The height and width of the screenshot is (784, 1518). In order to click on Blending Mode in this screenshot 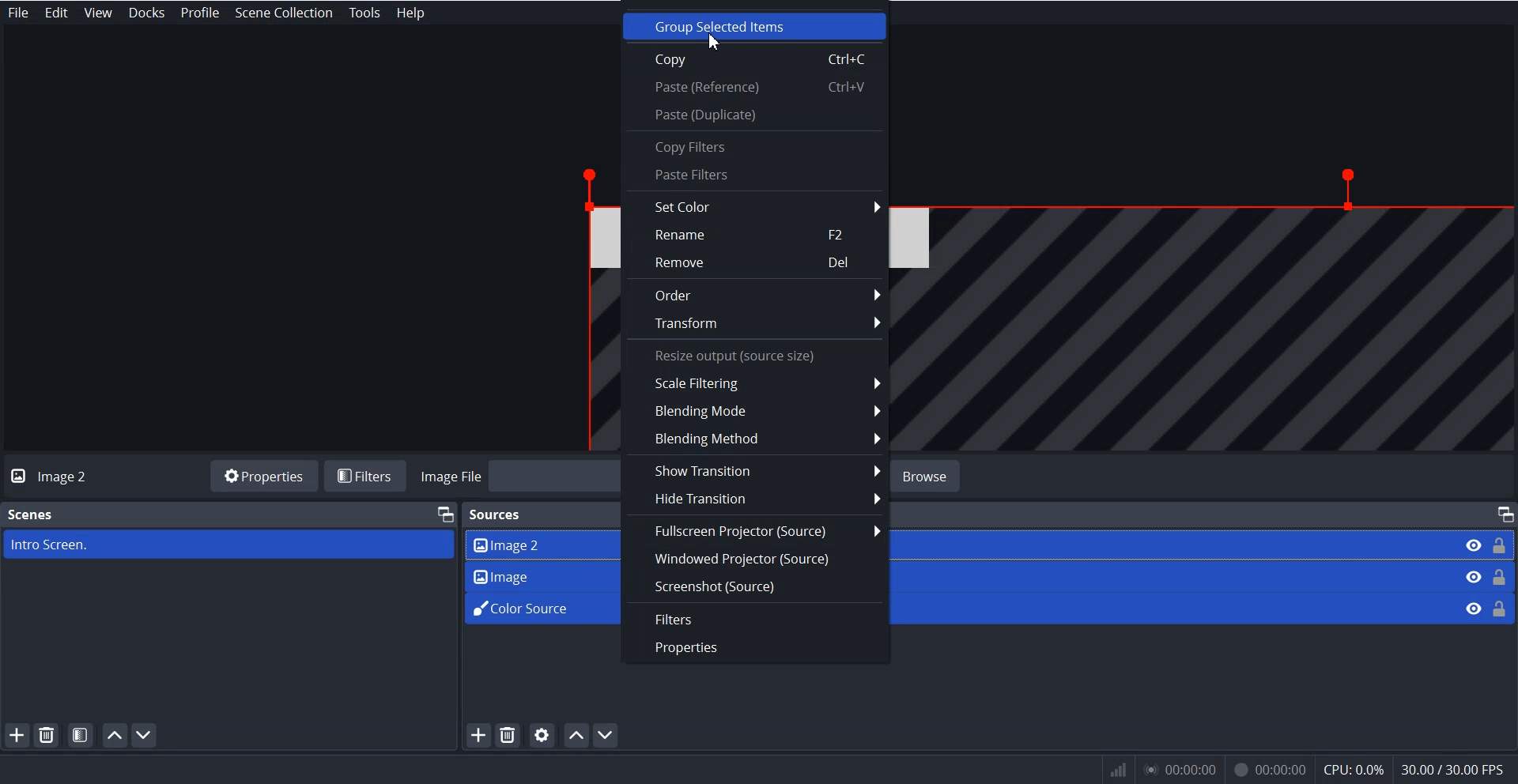, I will do `click(757, 411)`.